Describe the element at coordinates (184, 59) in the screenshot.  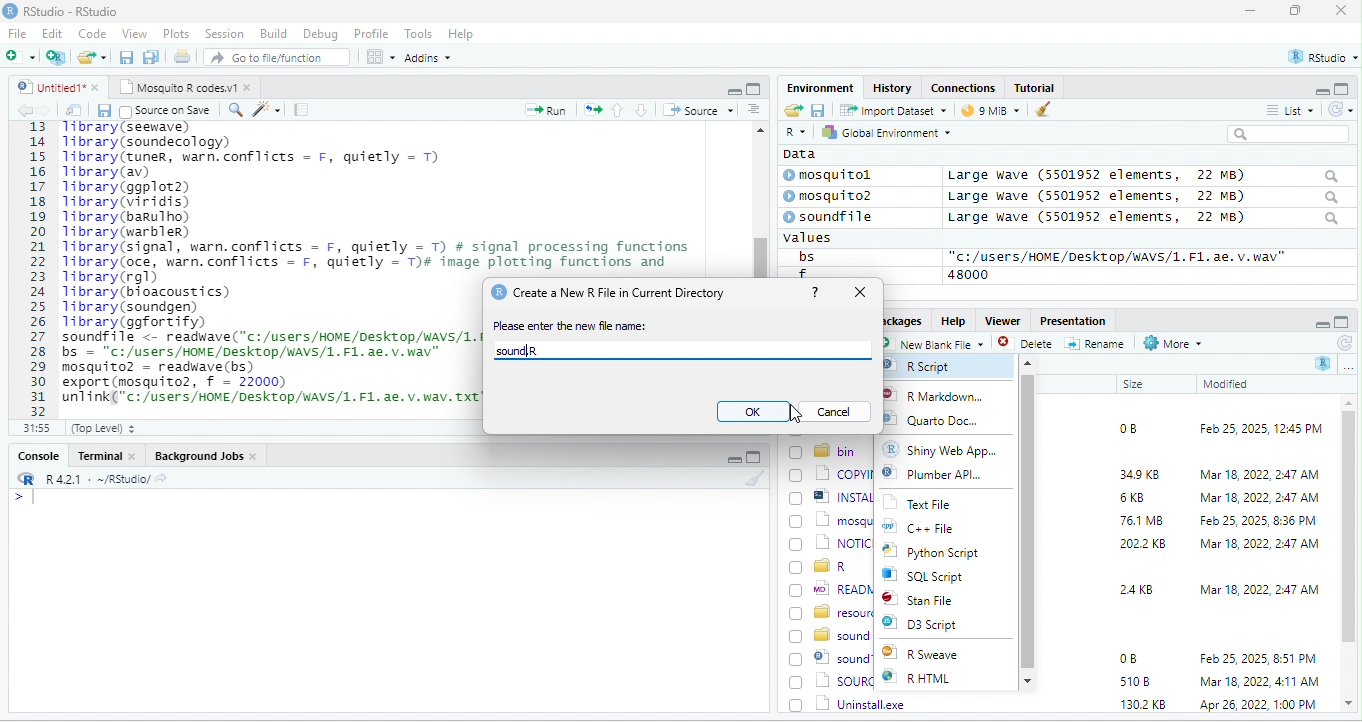
I see `open` at that location.